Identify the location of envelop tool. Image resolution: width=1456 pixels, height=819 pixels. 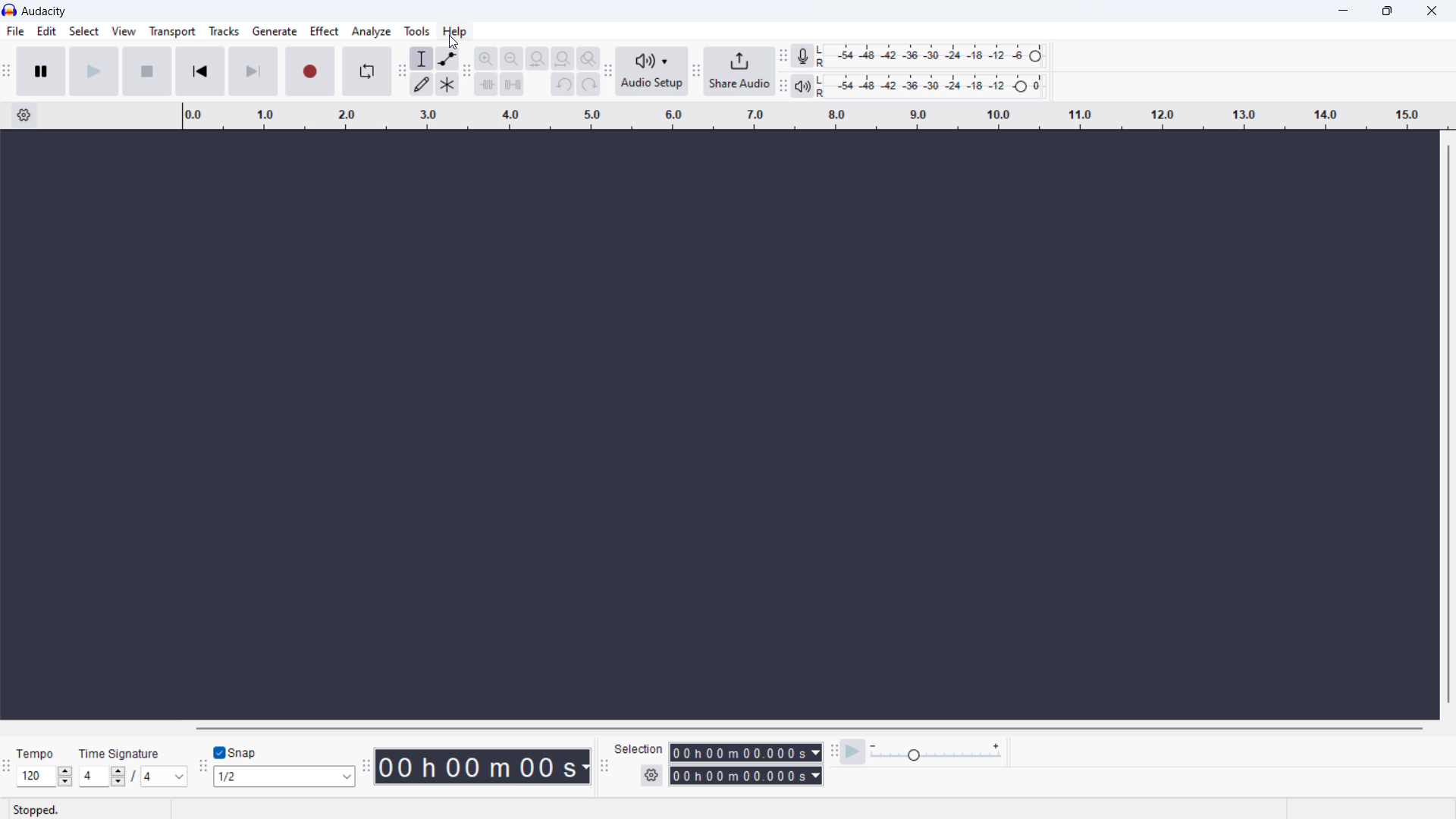
(448, 59).